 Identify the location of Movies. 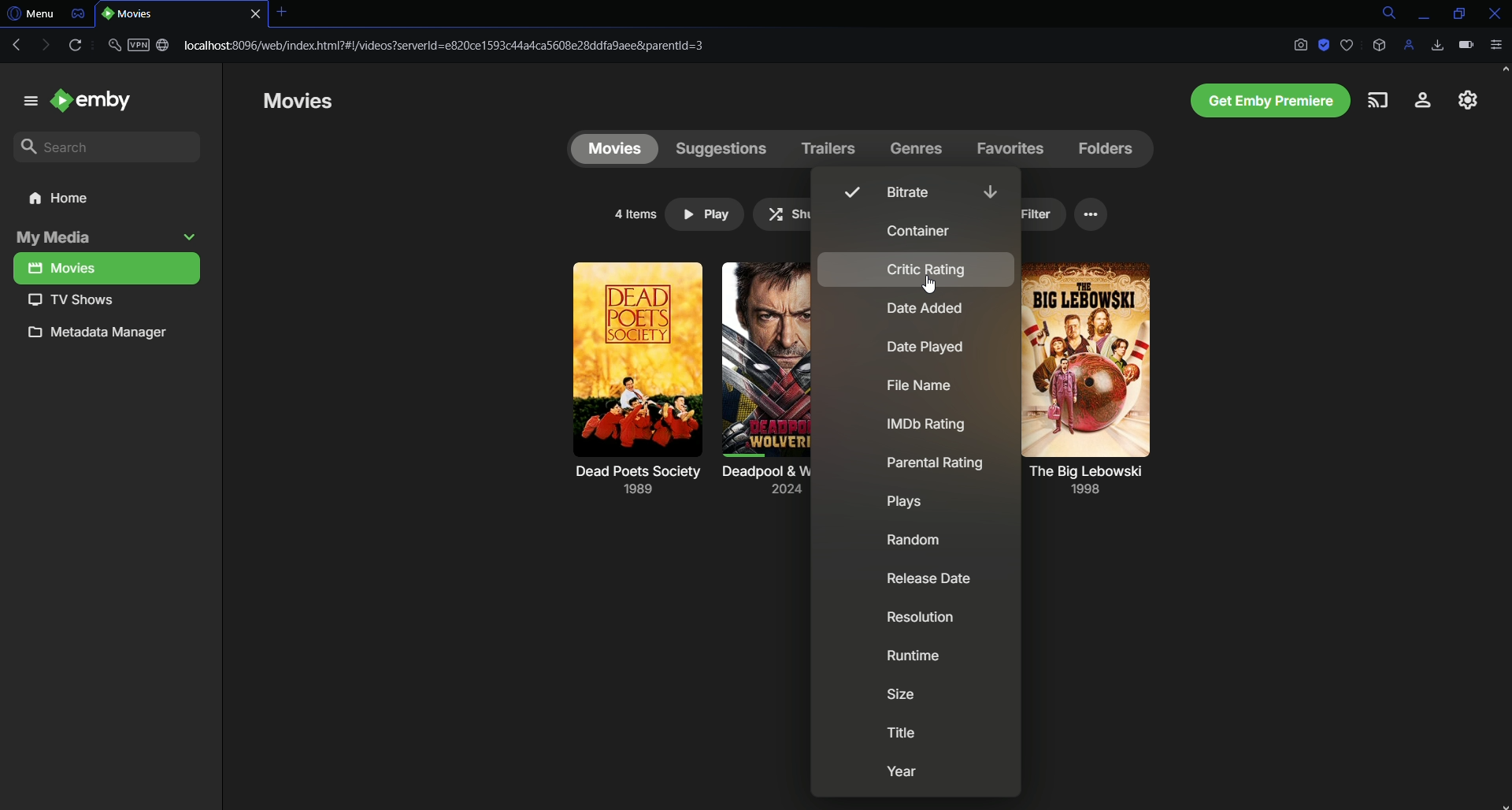
(610, 150).